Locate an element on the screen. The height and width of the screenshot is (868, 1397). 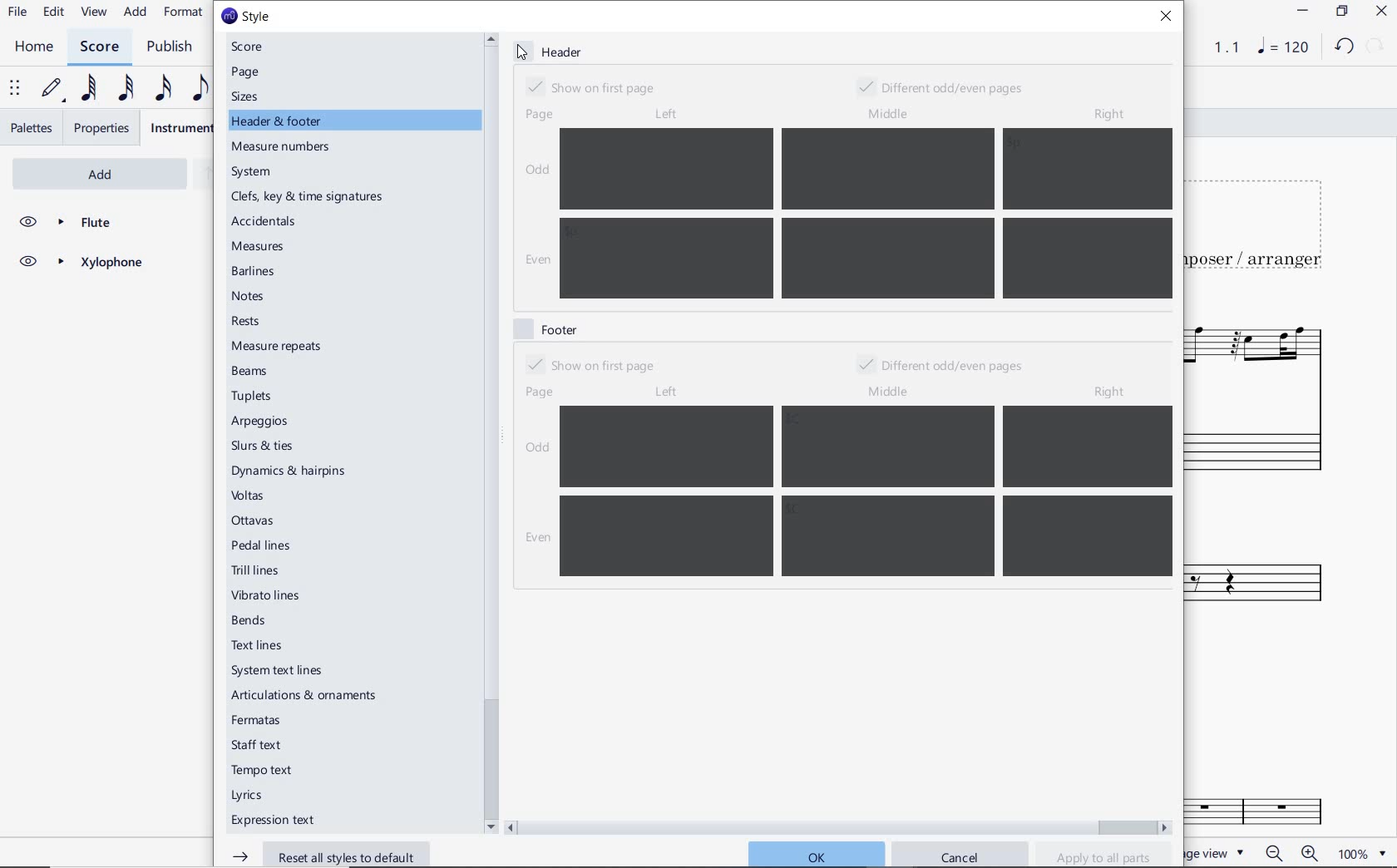
MINIMIZE is located at coordinates (1301, 11).